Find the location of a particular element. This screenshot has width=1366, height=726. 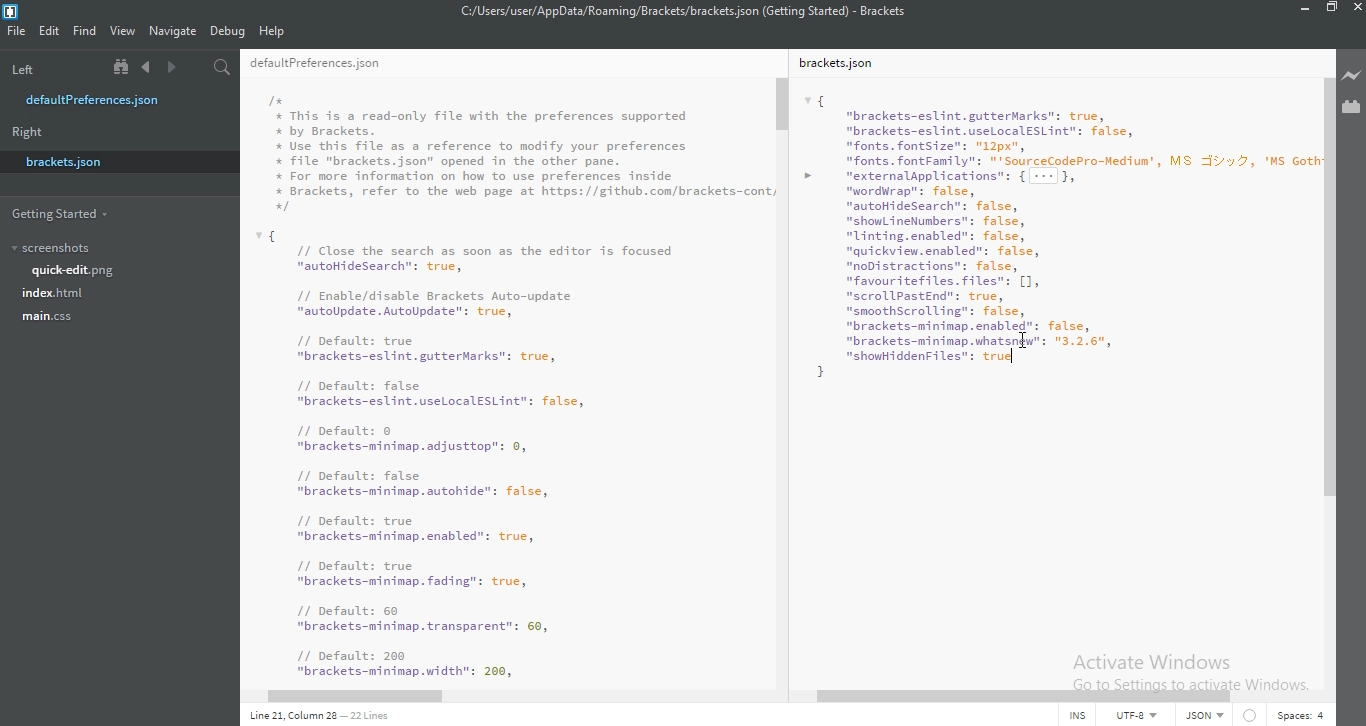

scroll bar is located at coordinates (1329, 286).